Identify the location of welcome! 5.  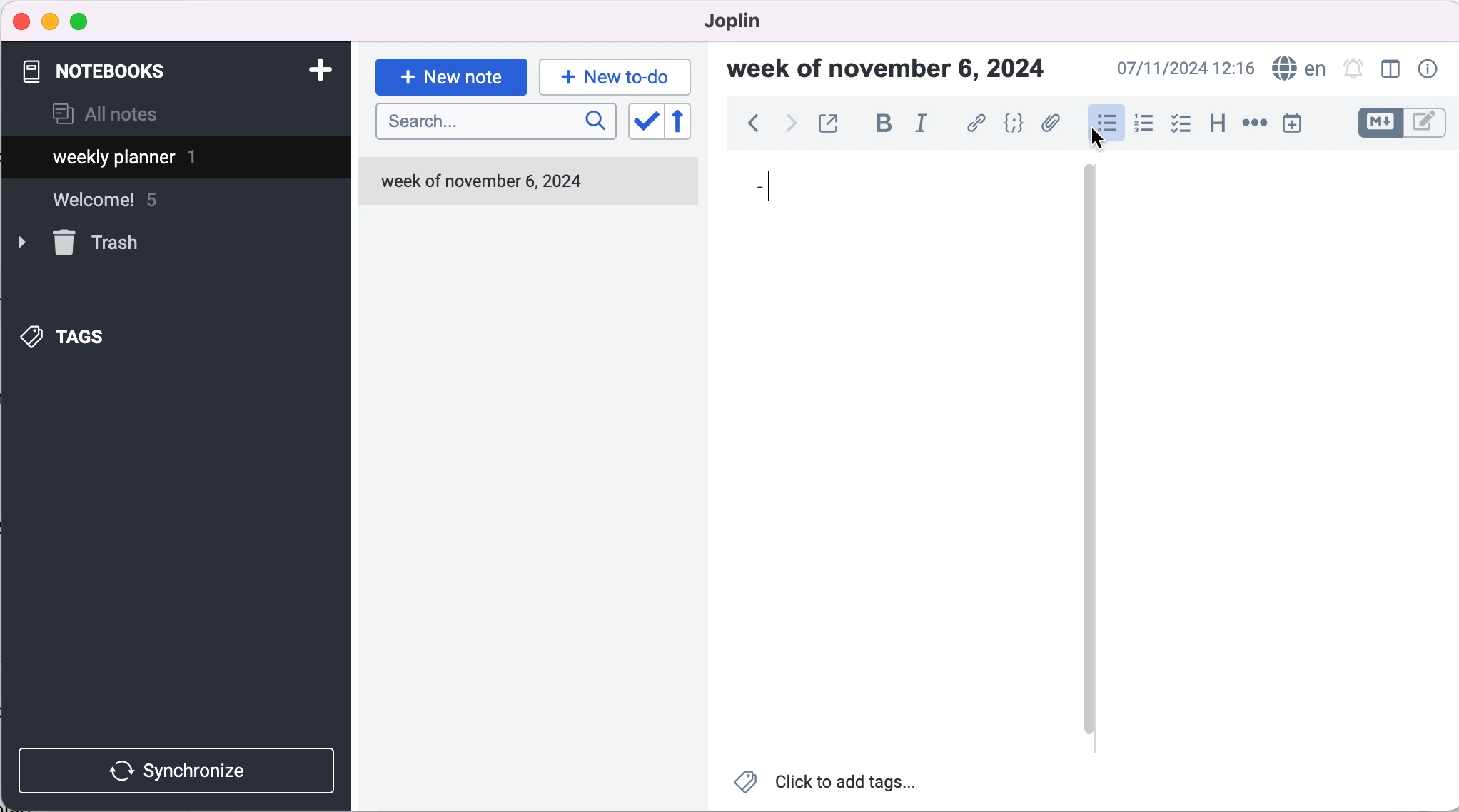
(123, 206).